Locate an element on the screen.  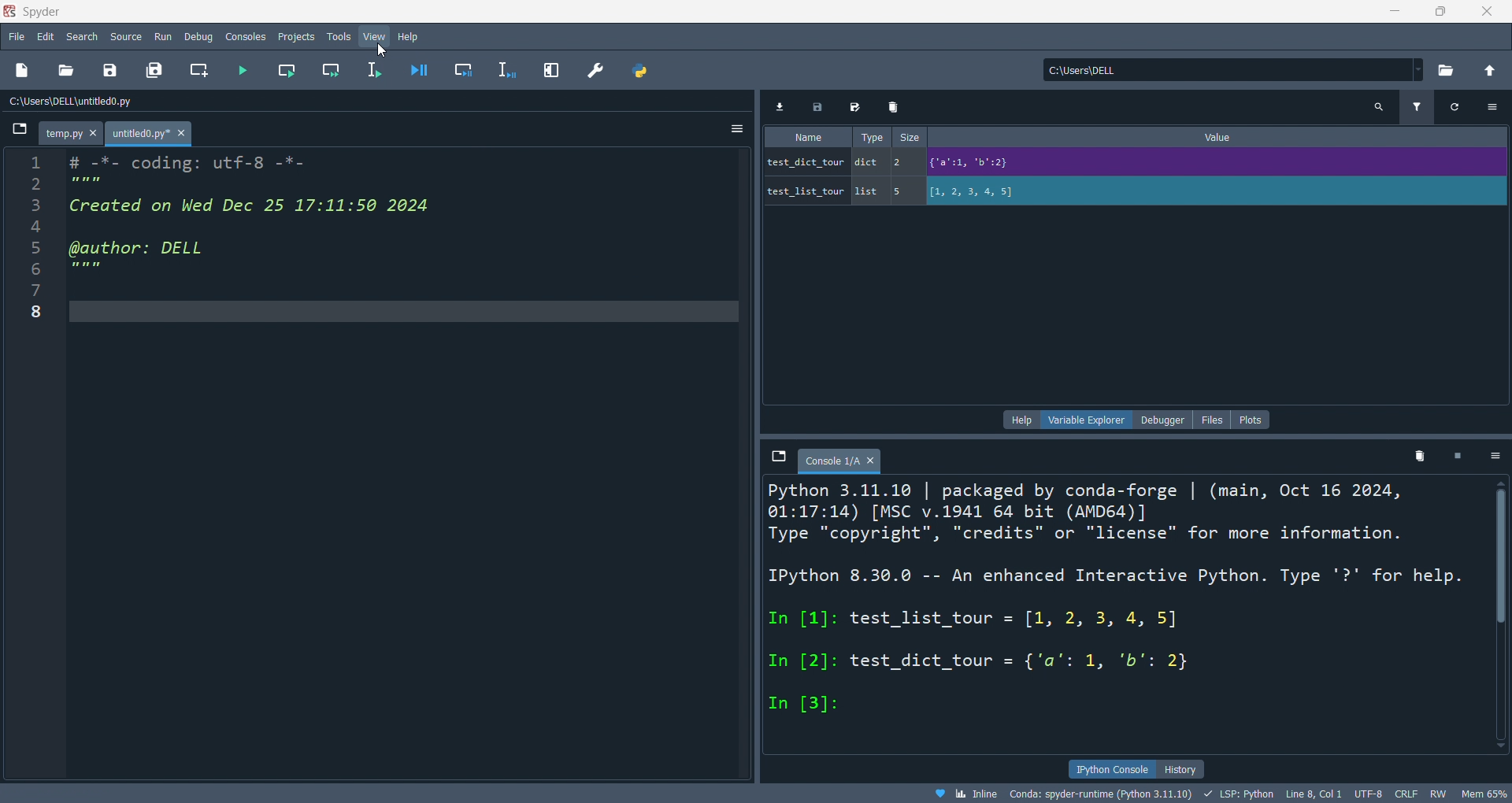
Code editor section is located at coordinates (408, 463).